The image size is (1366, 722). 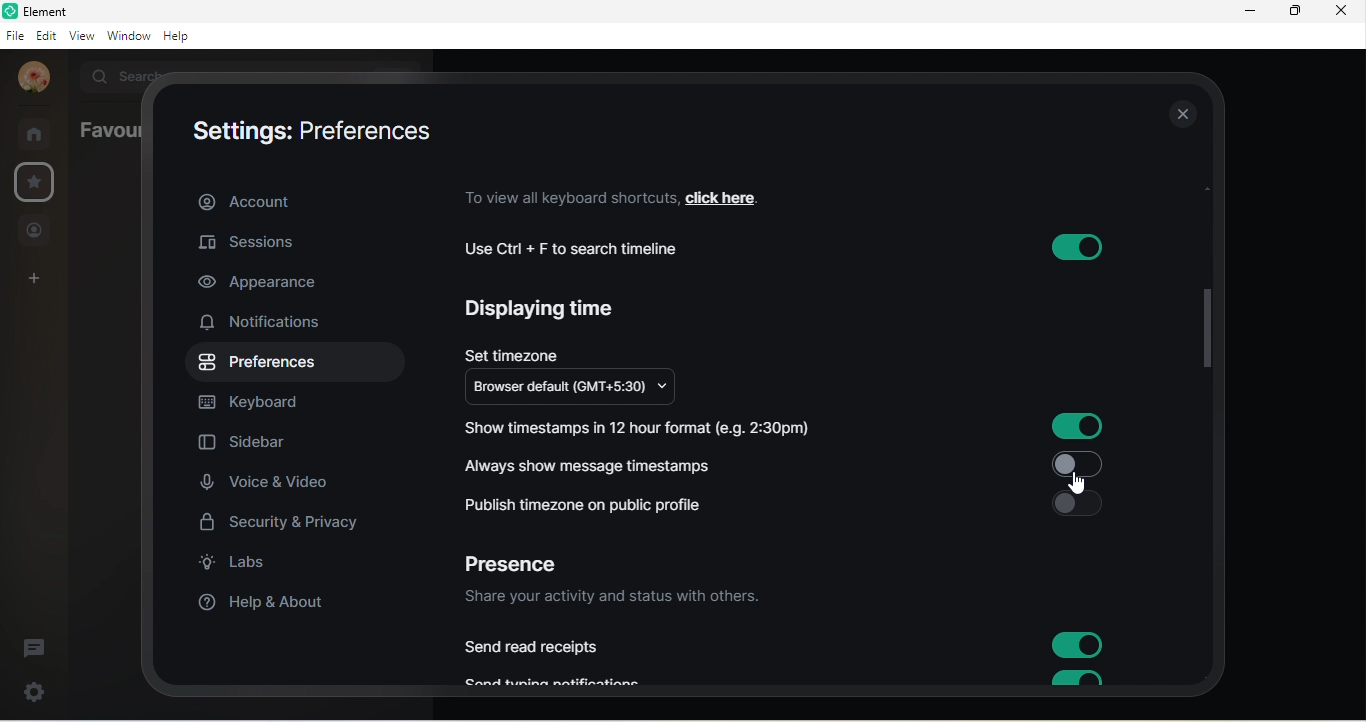 I want to click on use ctrl+f to search timeline, so click(x=584, y=249).